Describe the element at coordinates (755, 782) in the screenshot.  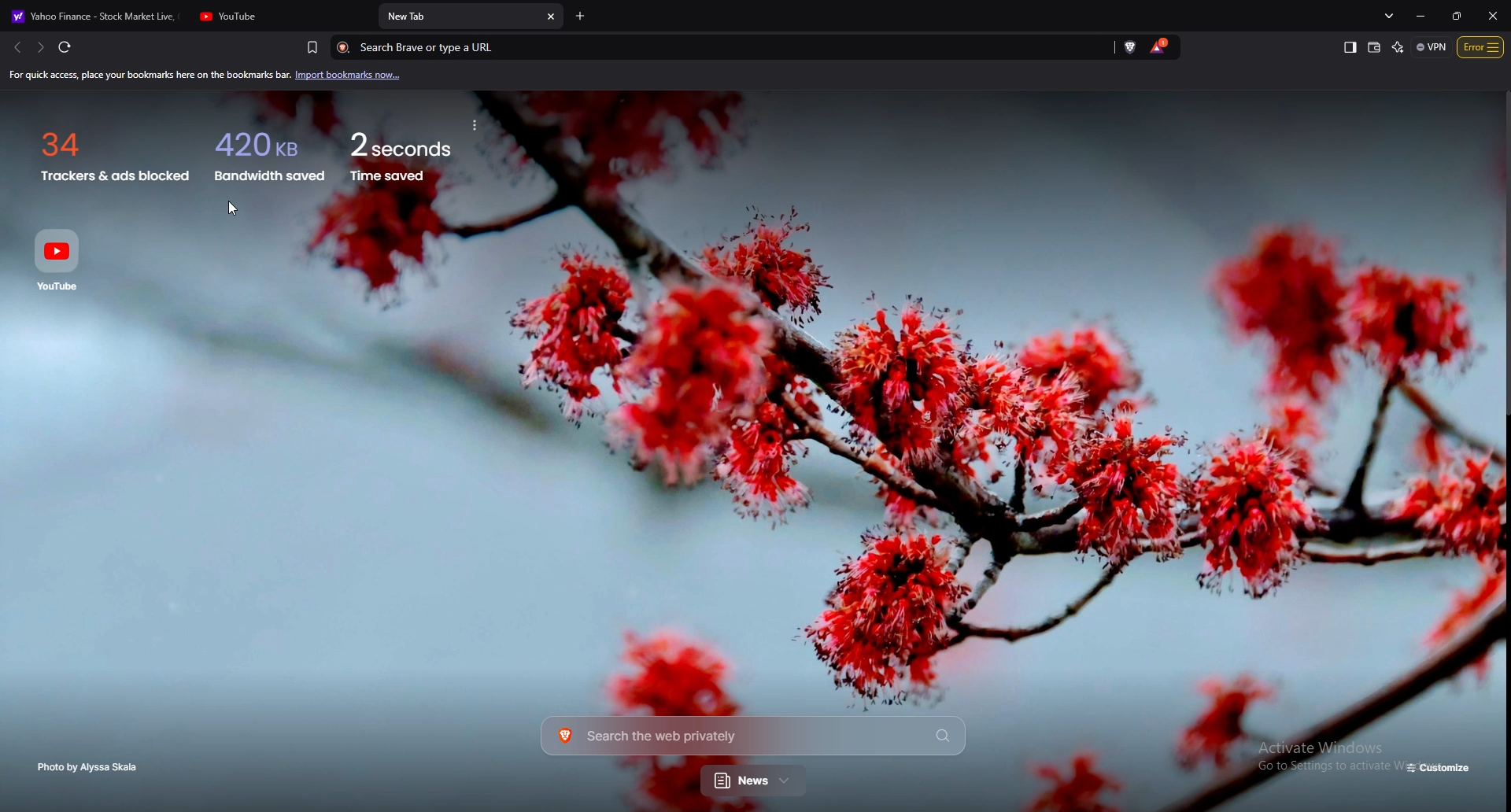
I see `news` at that location.